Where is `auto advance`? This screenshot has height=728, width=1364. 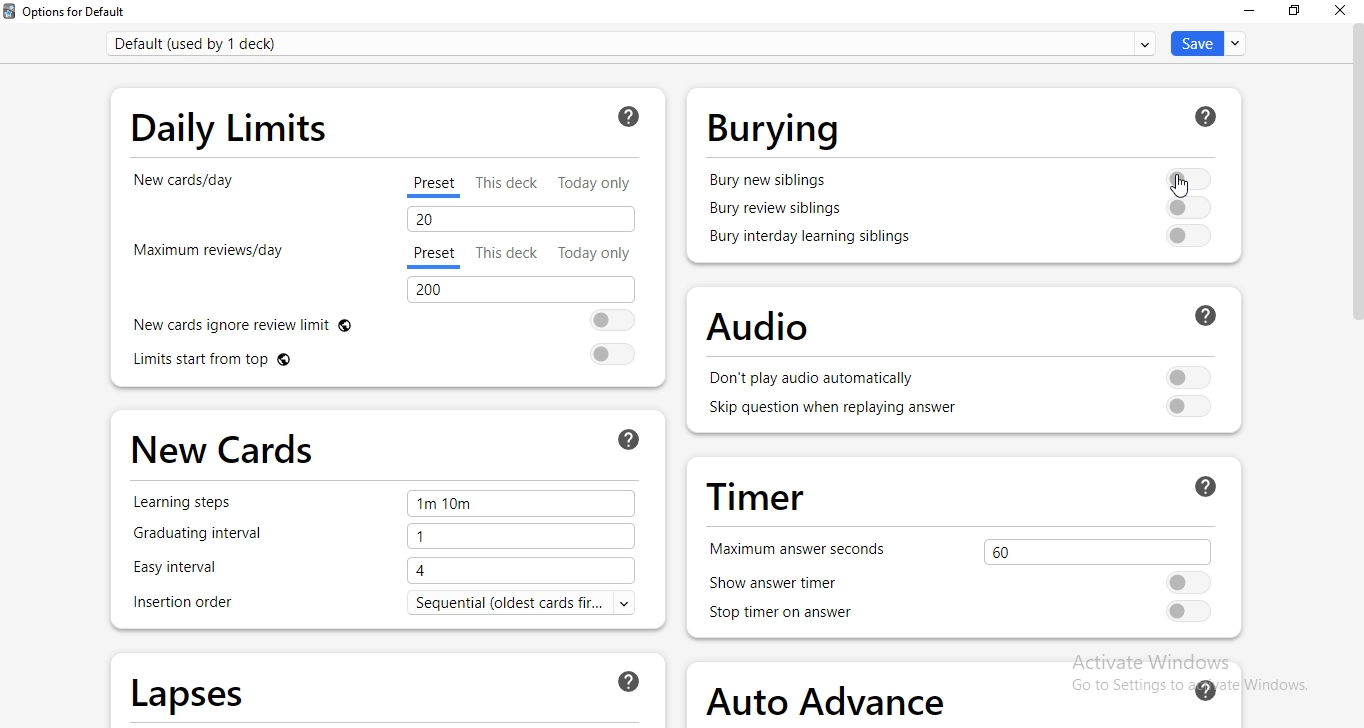
auto advance is located at coordinates (831, 694).